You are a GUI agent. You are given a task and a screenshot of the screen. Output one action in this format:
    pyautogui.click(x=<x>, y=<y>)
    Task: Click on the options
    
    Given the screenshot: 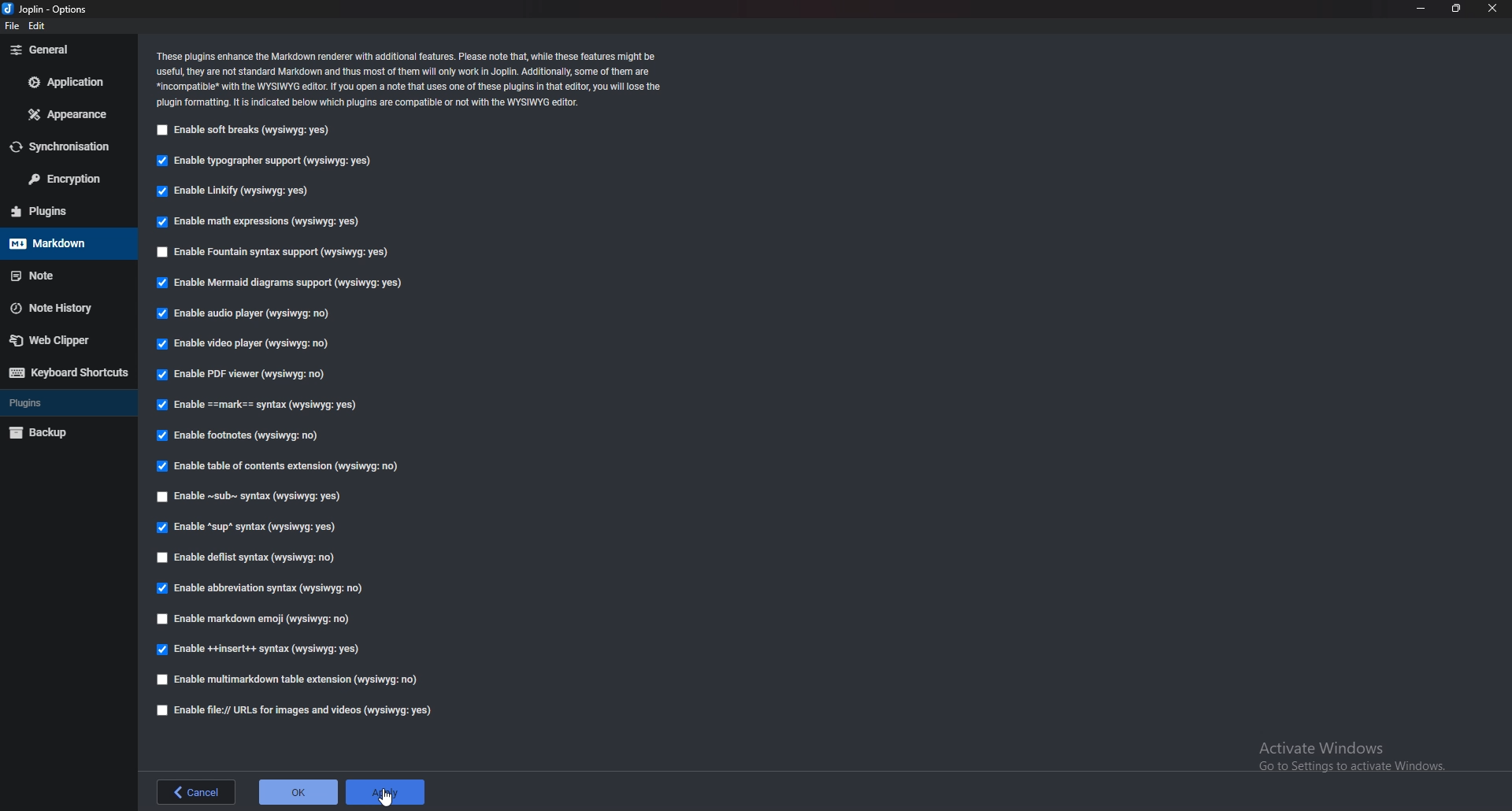 What is the action you would take?
    pyautogui.click(x=53, y=9)
    